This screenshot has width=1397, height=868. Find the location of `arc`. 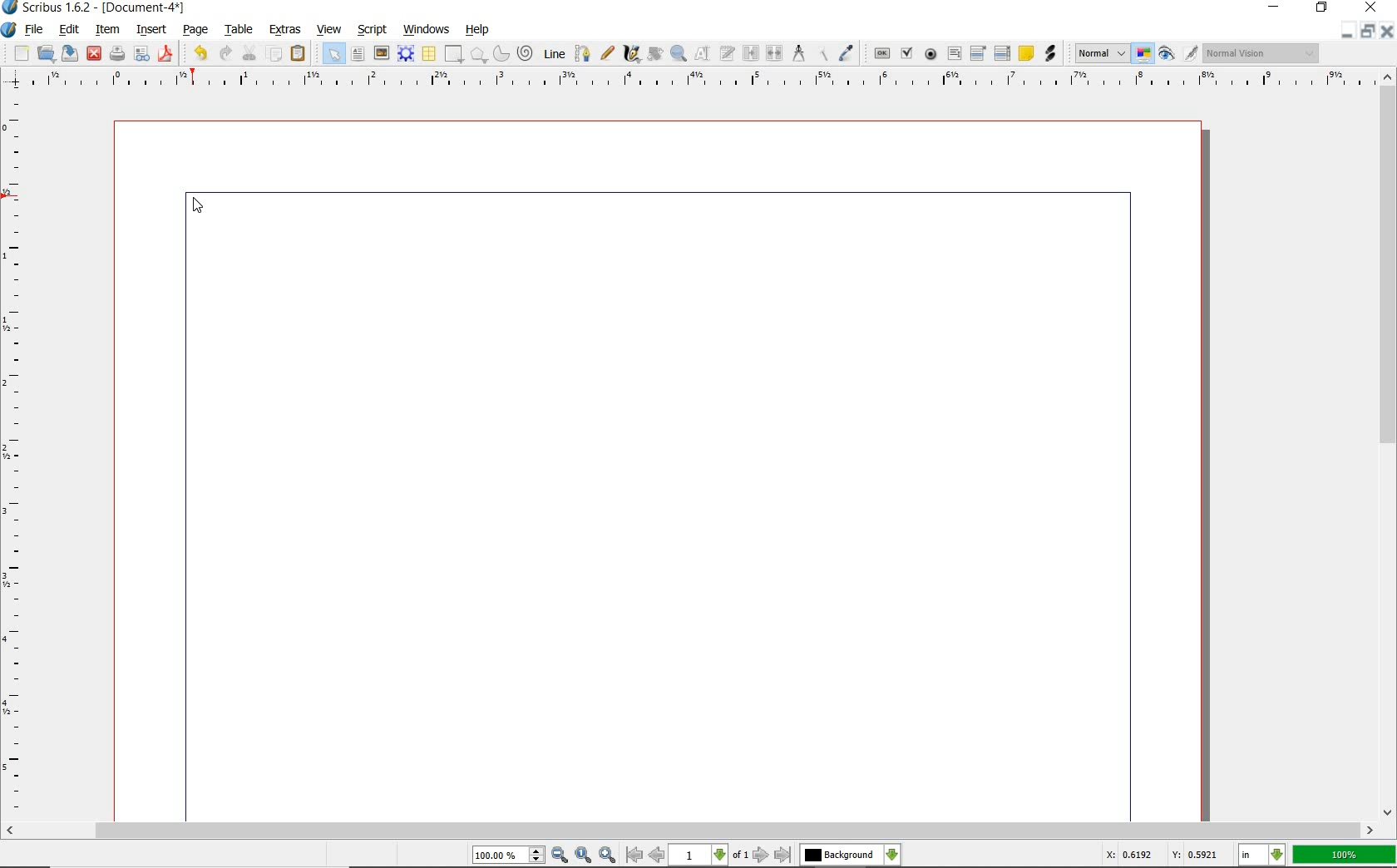

arc is located at coordinates (501, 52).